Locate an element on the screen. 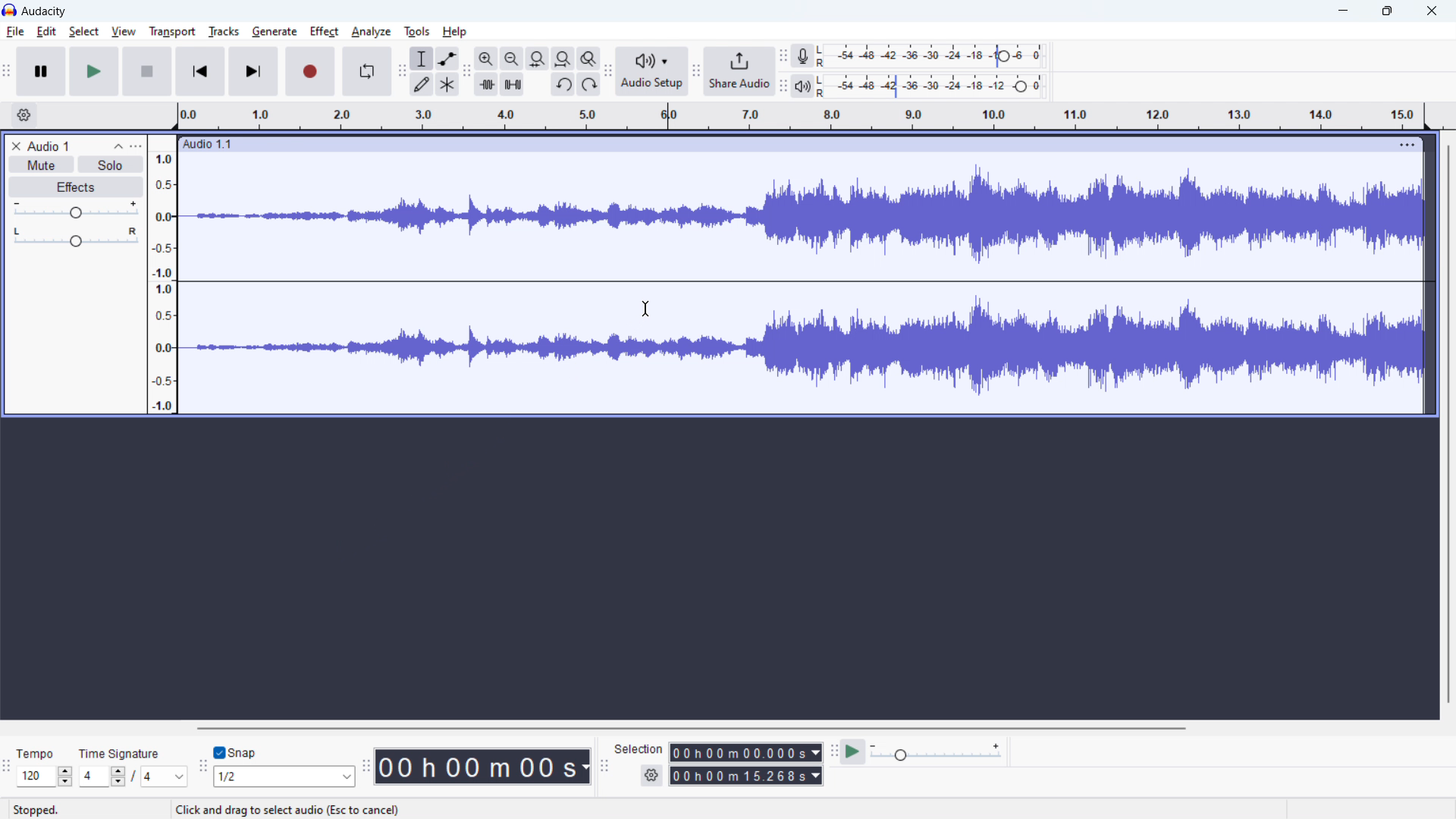 The width and height of the screenshot is (1456, 819). 4/4 (set time signature) is located at coordinates (133, 777).